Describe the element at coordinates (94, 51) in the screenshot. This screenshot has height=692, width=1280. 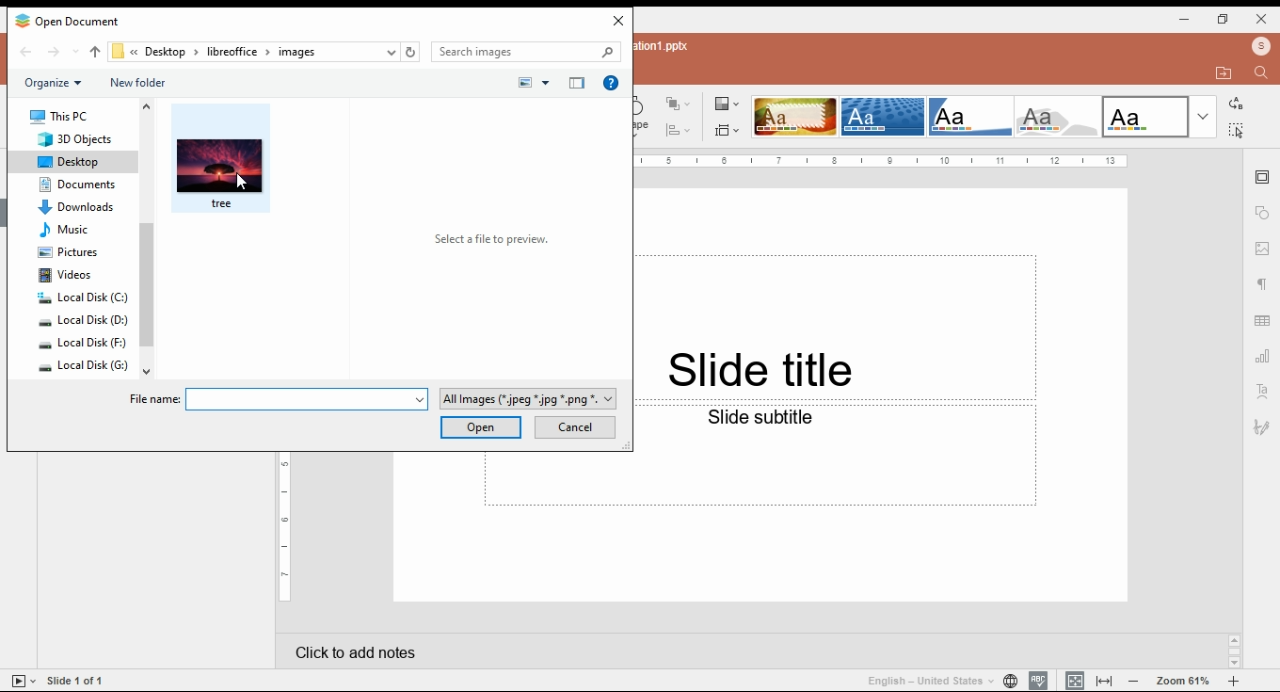
I see `up` at that location.